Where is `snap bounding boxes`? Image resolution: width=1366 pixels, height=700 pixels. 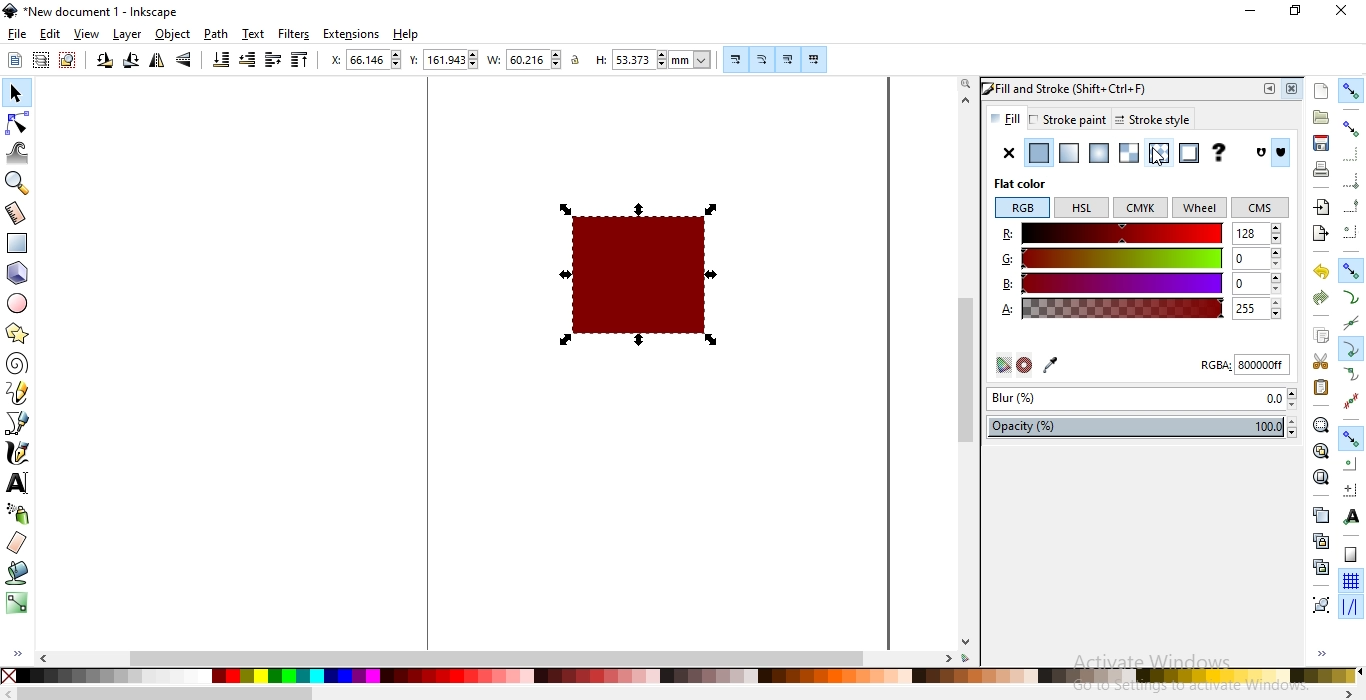
snap bounding boxes is located at coordinates (1352, 128).